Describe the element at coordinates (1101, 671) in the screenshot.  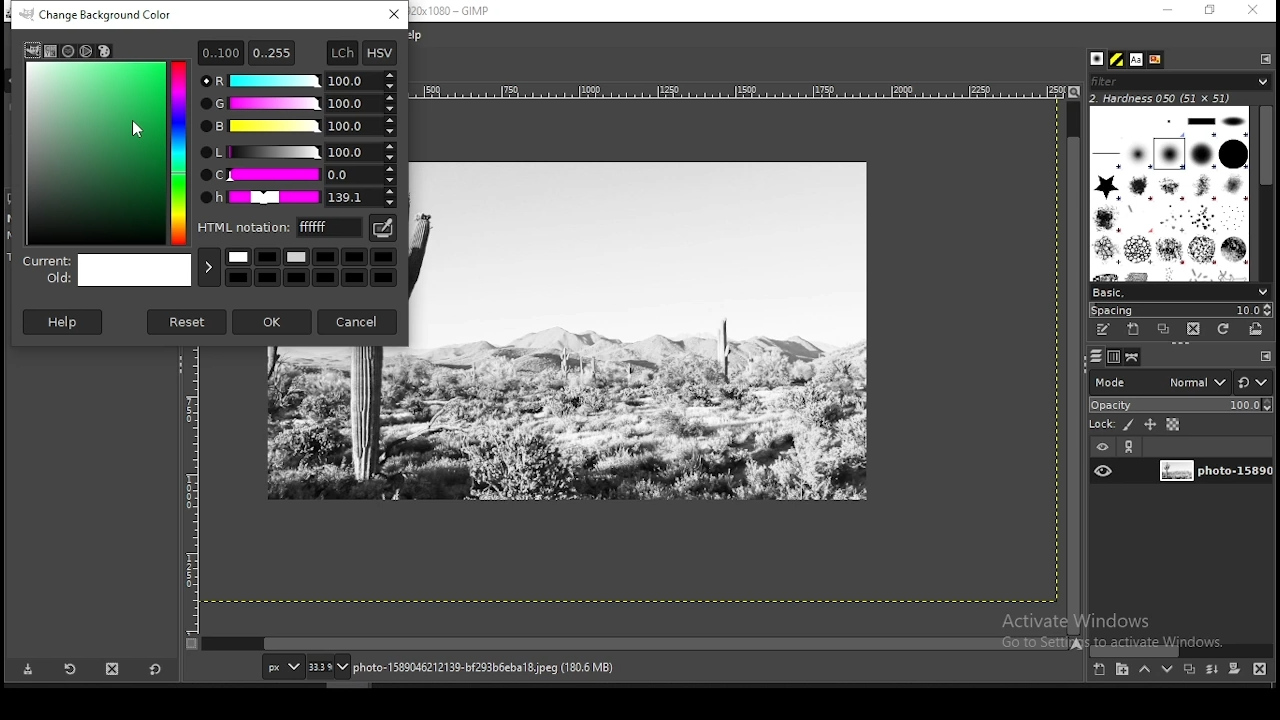
I see `new layer` at that location.